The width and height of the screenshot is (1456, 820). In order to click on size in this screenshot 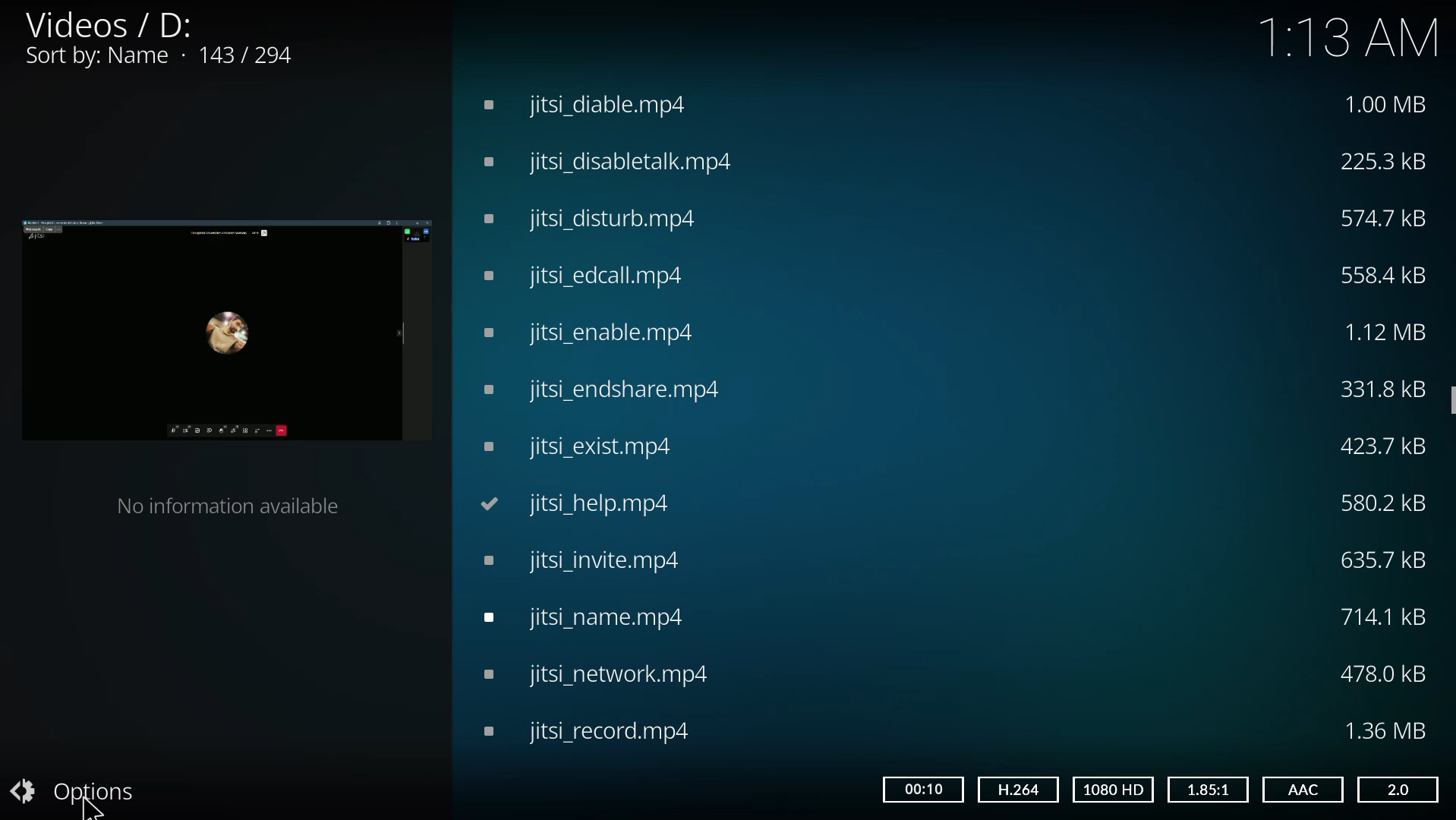, I will do `click(1385, 331)`.